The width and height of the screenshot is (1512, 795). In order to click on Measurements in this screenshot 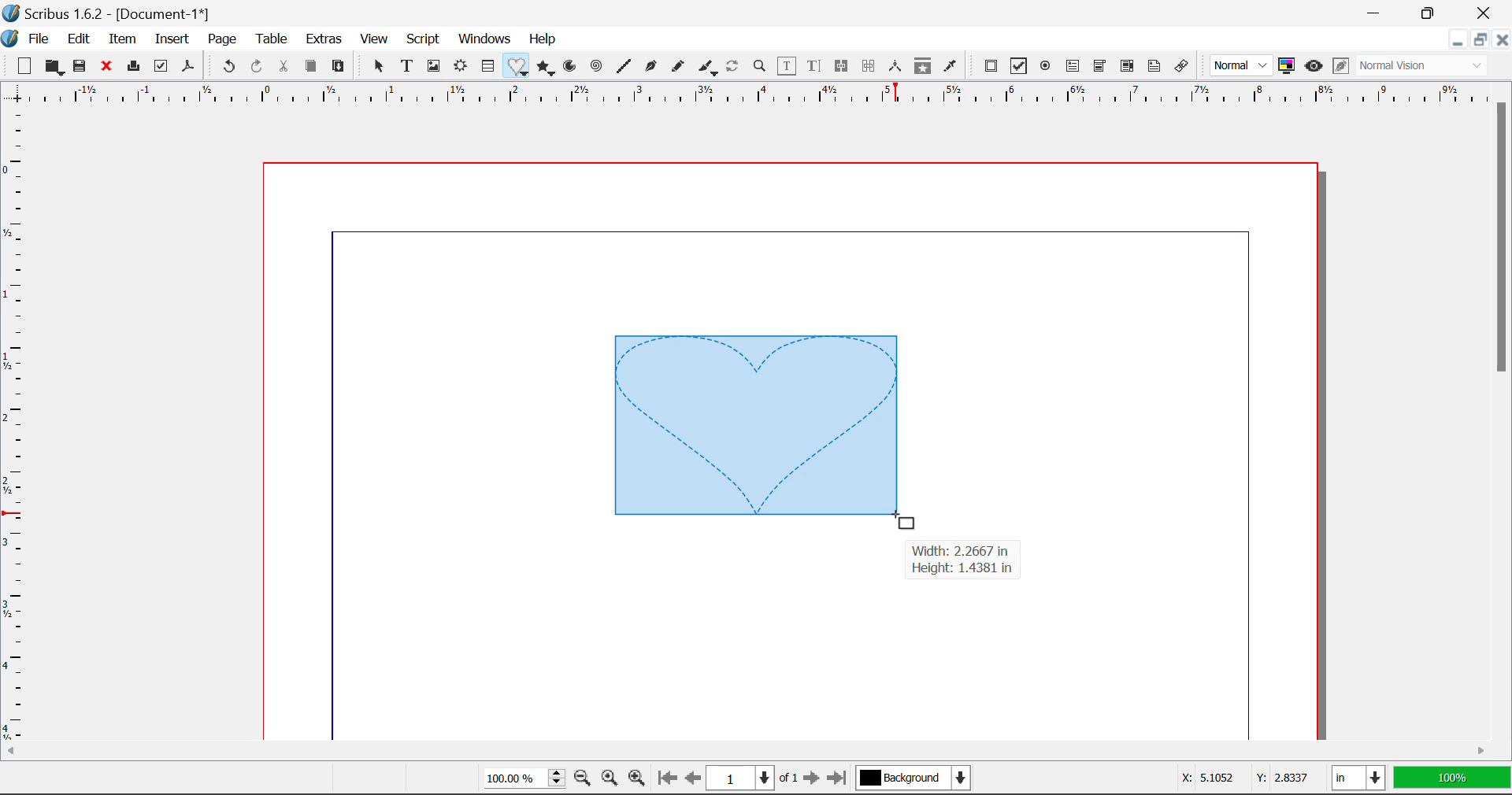, I will do `click(897, 67)`.